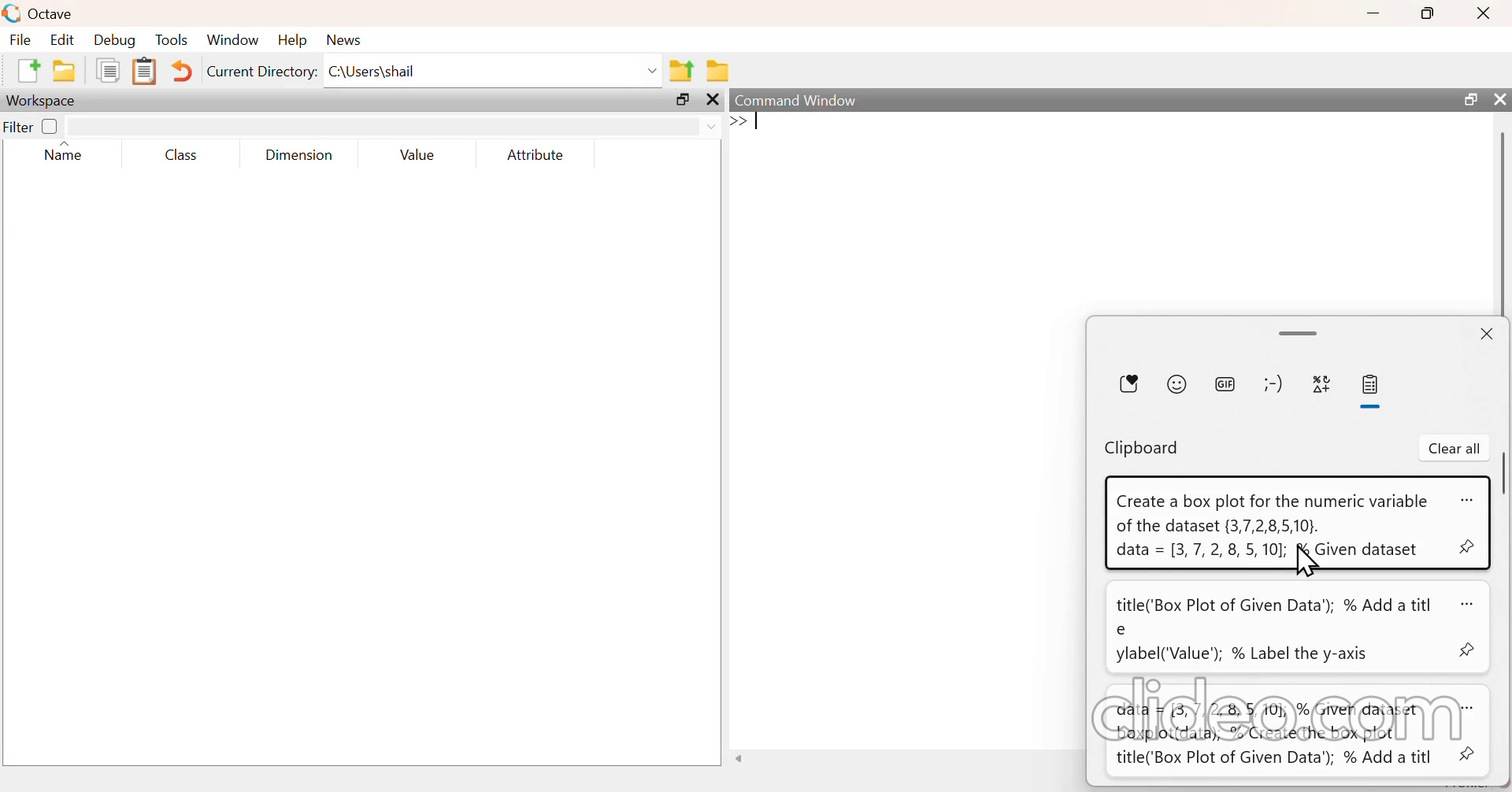  I want to click on one directory up, so click(682, 69).